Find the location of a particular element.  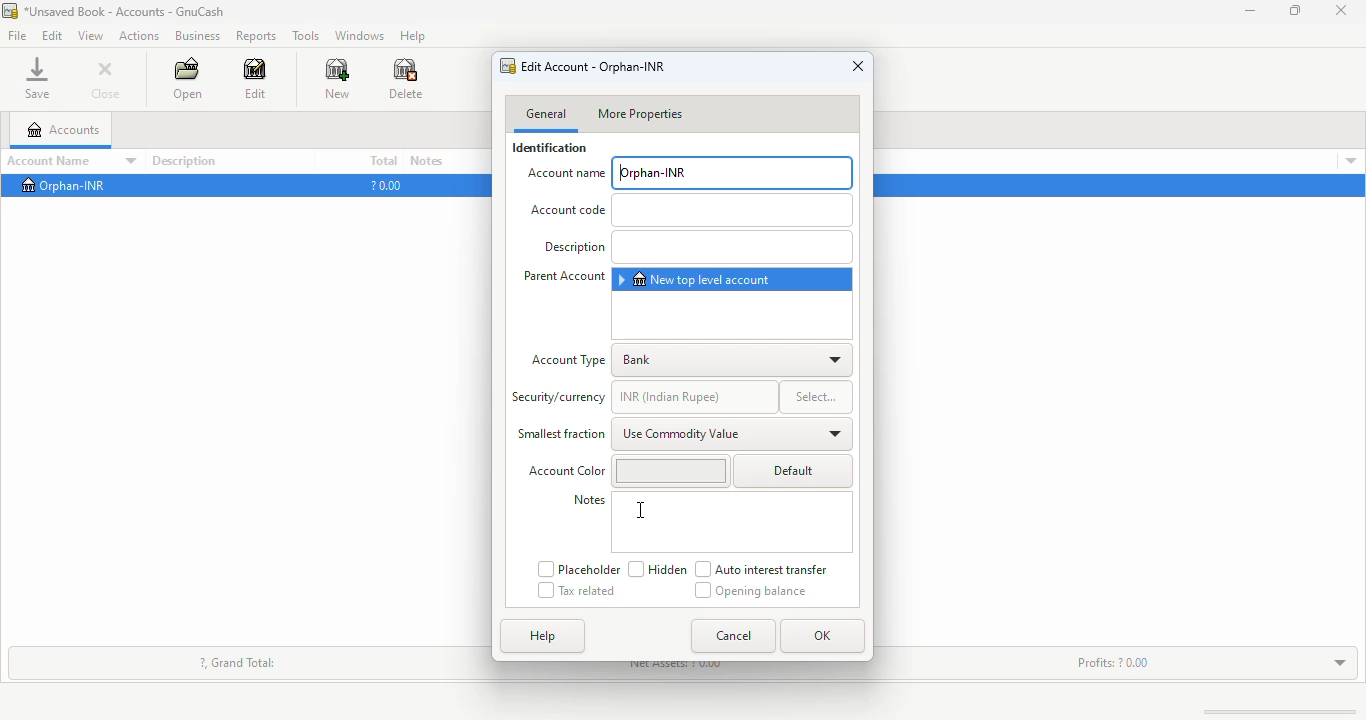

logo is located at coordinates (9, 11).